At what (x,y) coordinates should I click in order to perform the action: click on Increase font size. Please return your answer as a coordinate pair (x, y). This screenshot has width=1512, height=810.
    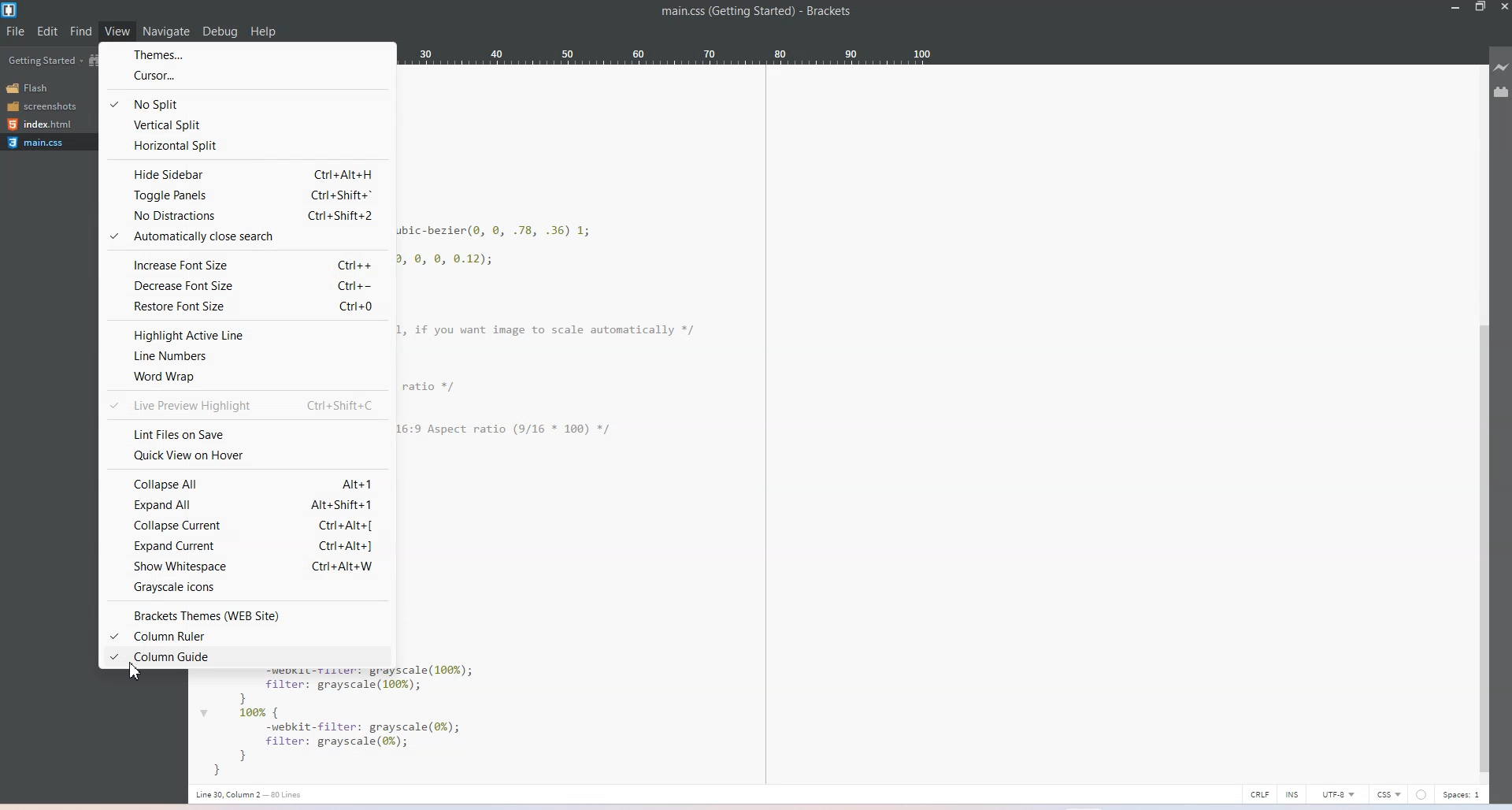
    Looking at the image, I should click on (246, 264).